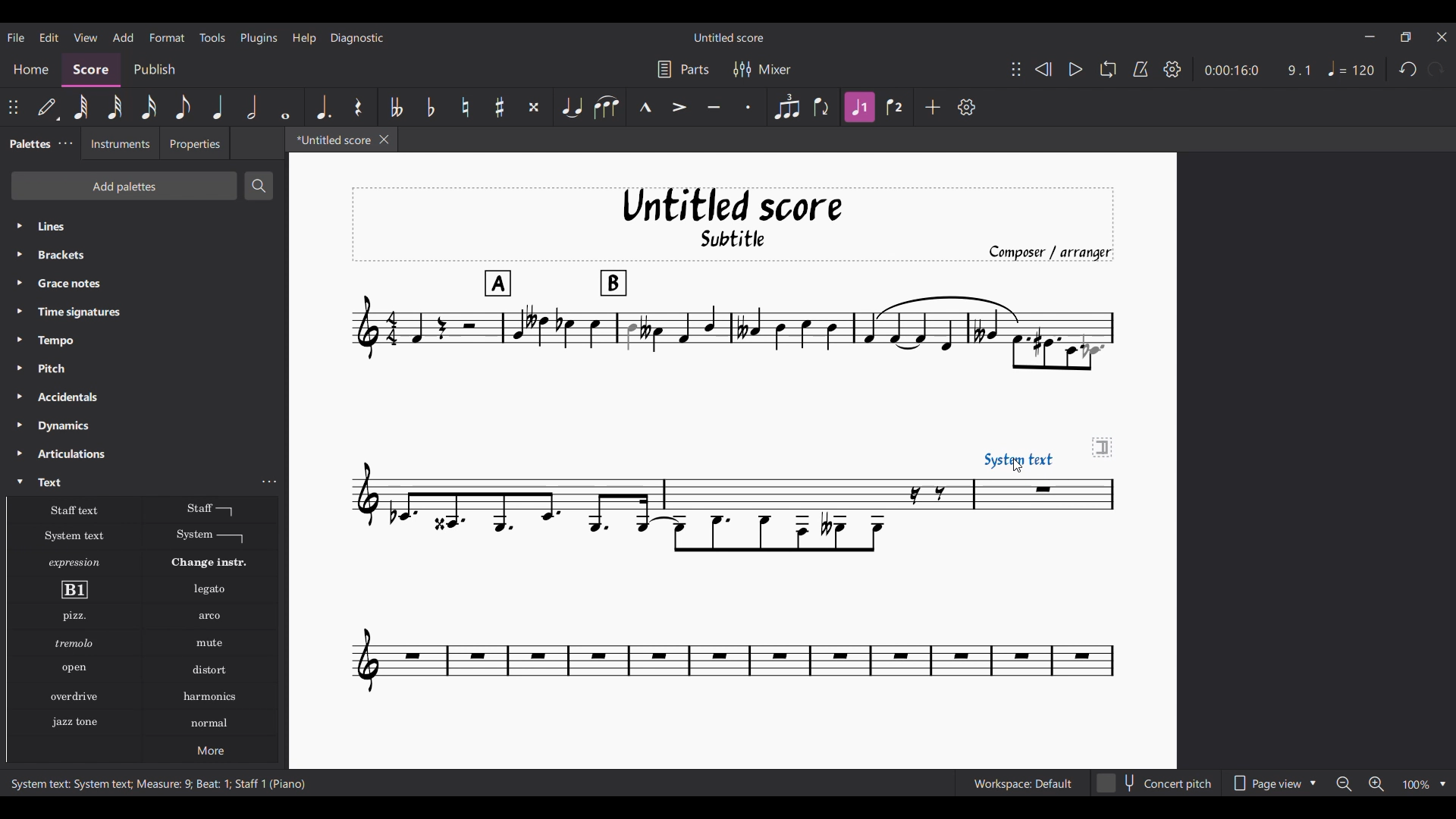 The width and height of the screenshot is (1456, 819). I want to click on Close tab, so click(384, 140).